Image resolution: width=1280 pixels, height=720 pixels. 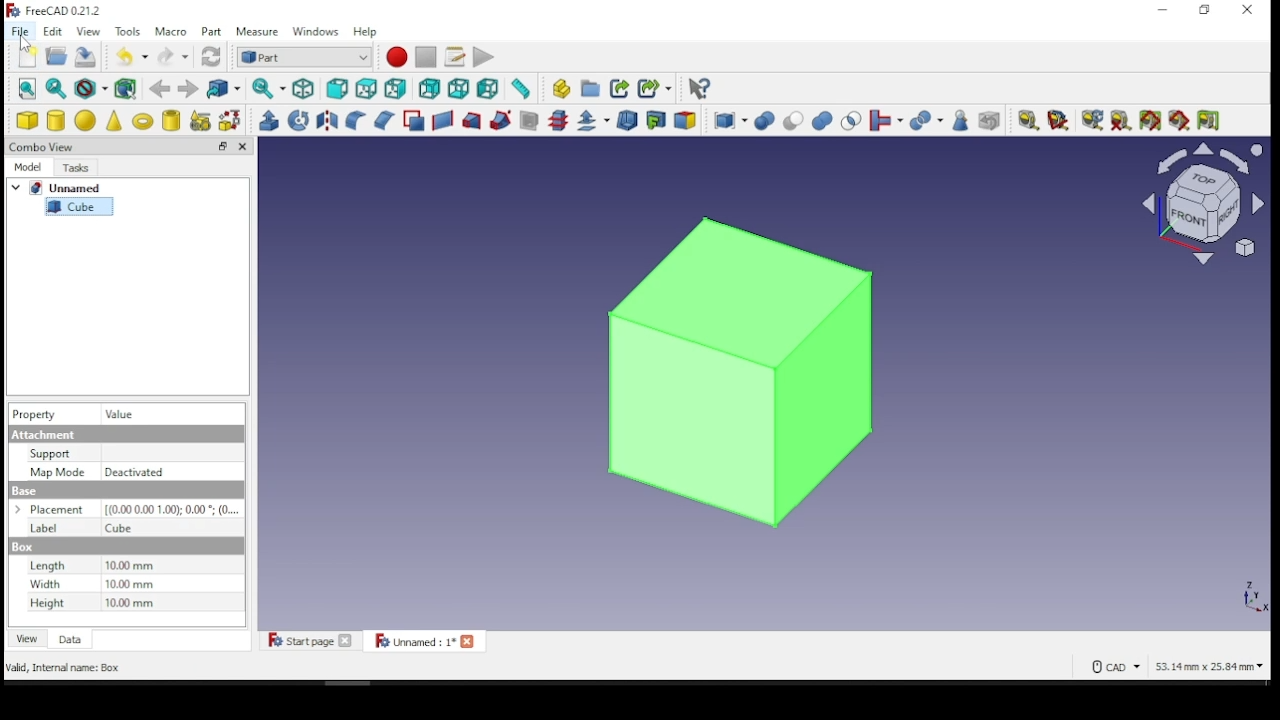 I want to click on restore, so click(x=223, y=146).